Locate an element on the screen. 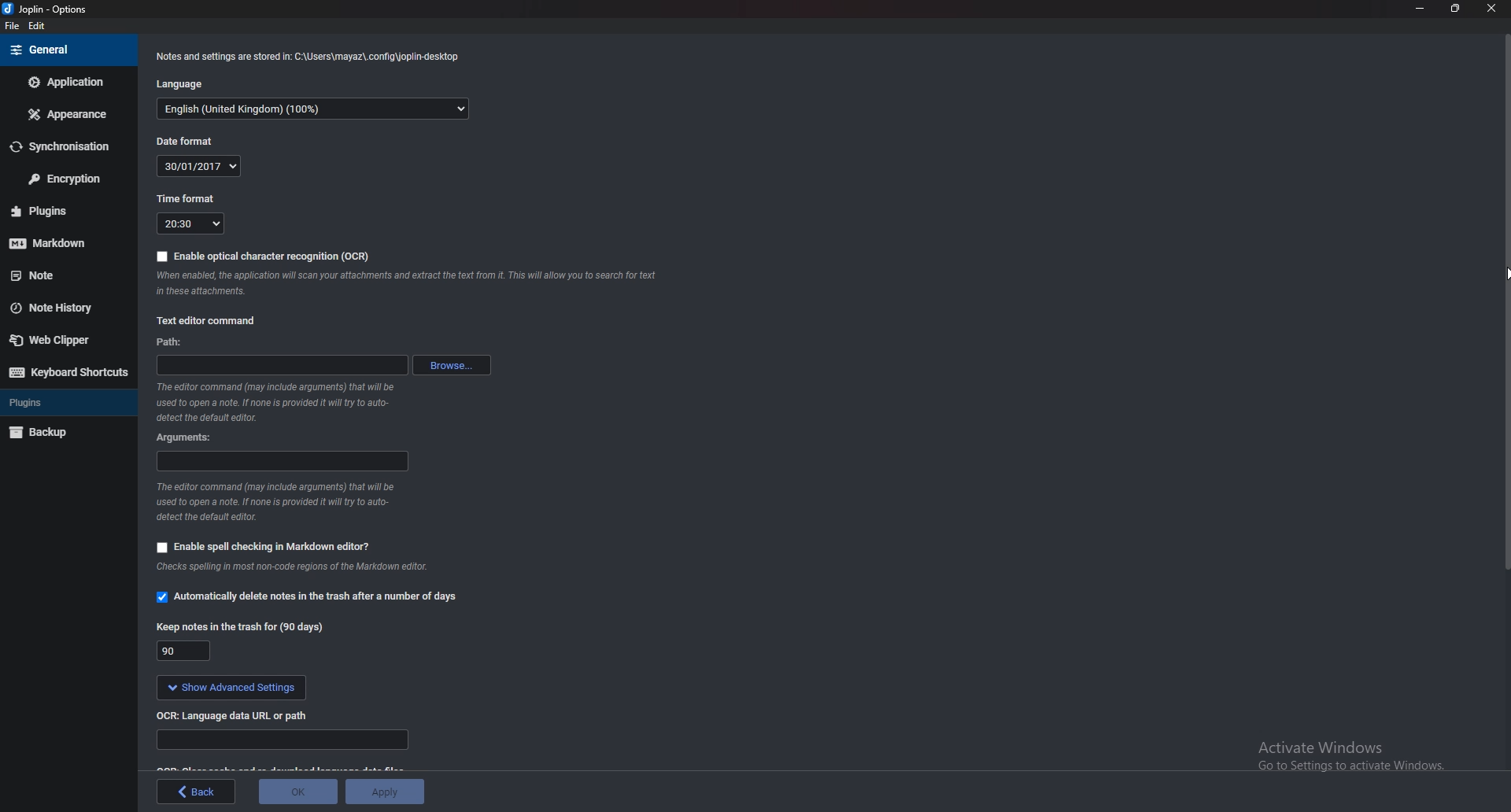 This screenshot has height=812, width=1511. Browse is located at coordinates (451, 364).